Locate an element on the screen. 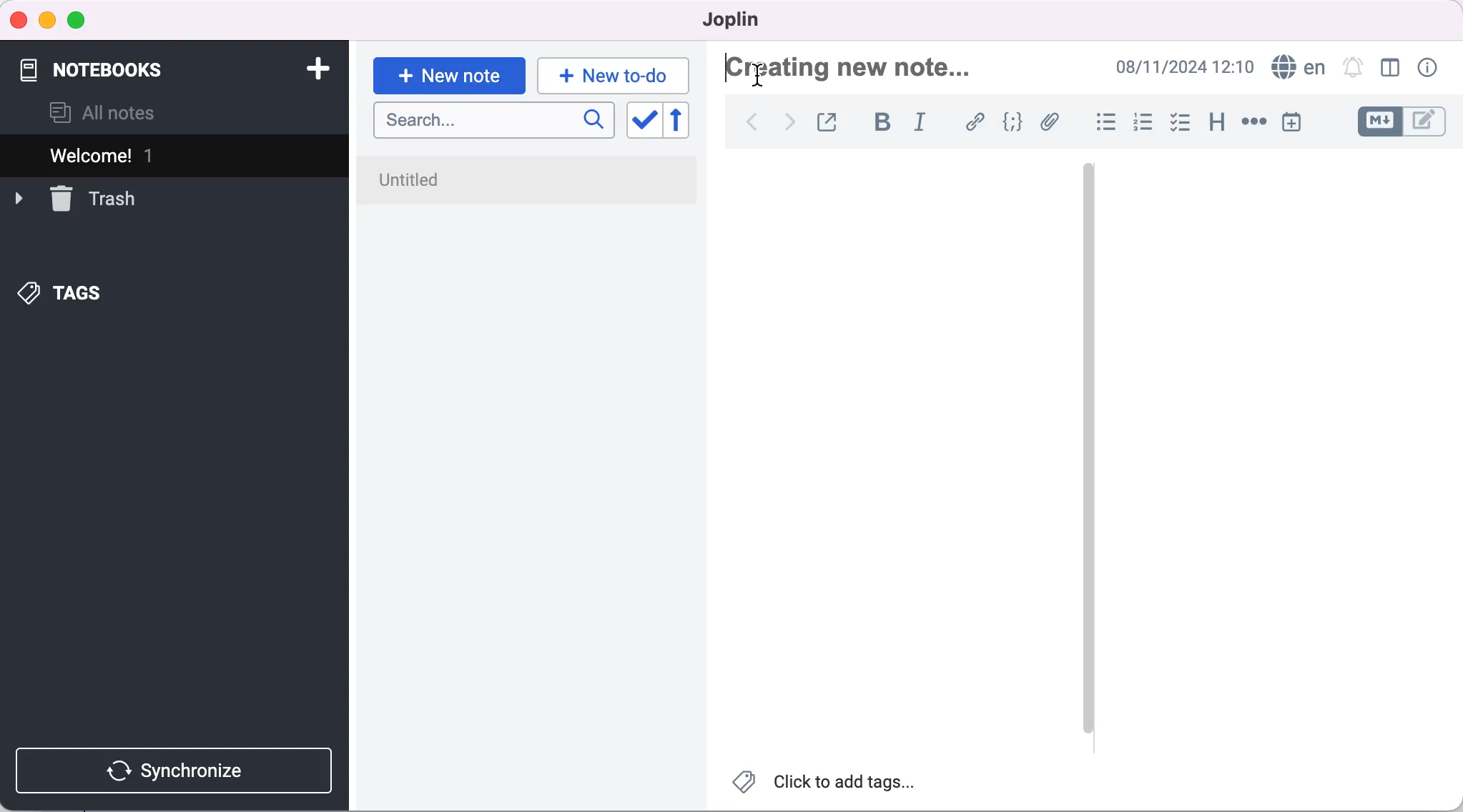  new to-do is located at coordinates (617, 75).